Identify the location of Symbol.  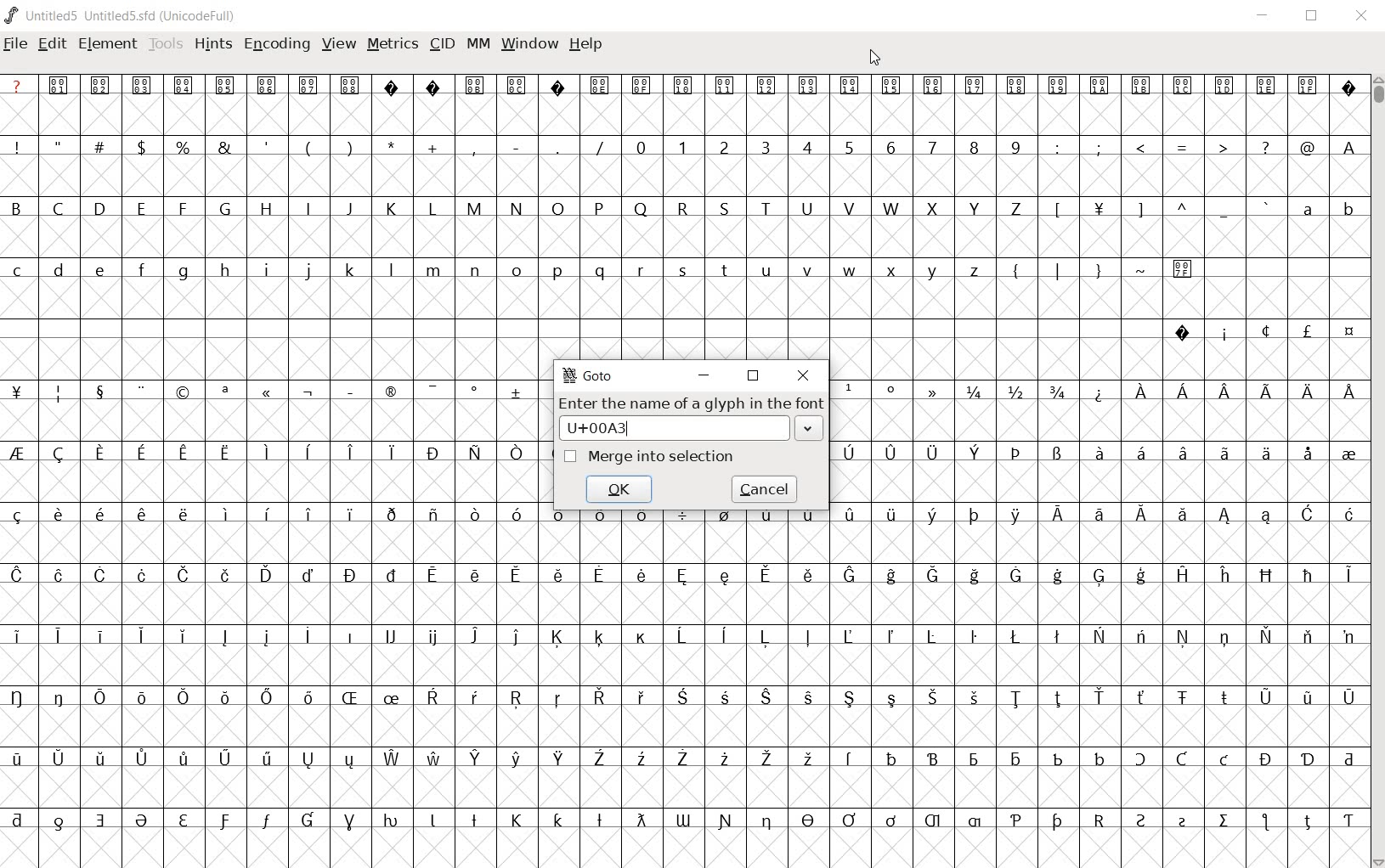
(349, 454).